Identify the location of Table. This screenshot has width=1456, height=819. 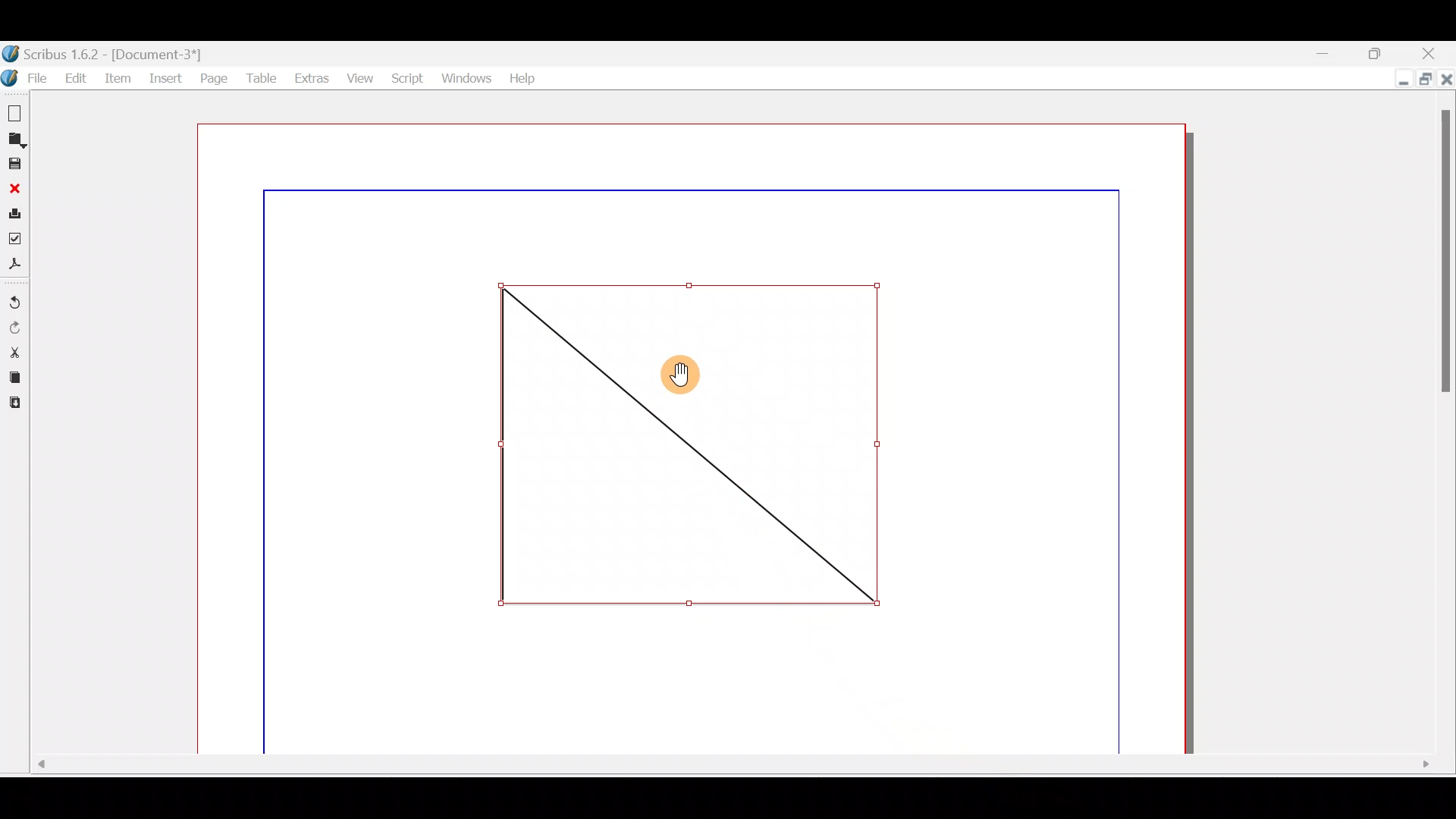
(259, 77).